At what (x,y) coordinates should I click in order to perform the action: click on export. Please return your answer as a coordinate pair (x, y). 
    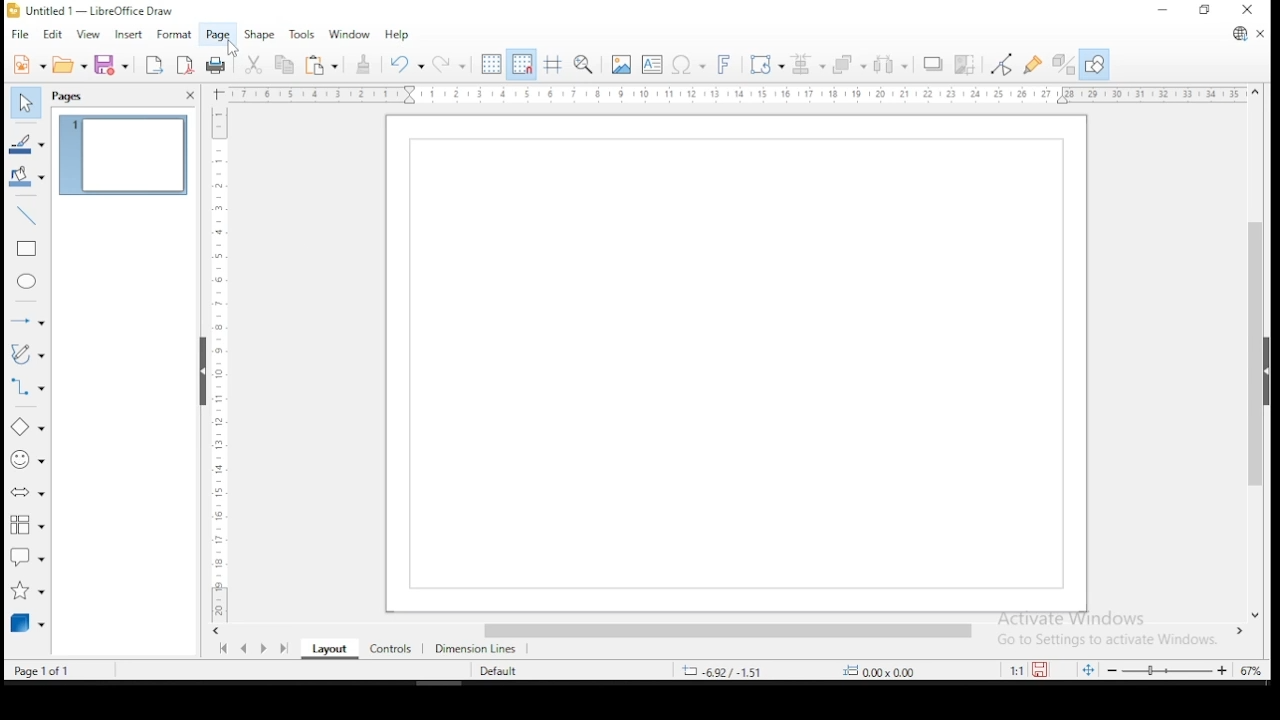
    Looking at the image, I should click on (153, 65).